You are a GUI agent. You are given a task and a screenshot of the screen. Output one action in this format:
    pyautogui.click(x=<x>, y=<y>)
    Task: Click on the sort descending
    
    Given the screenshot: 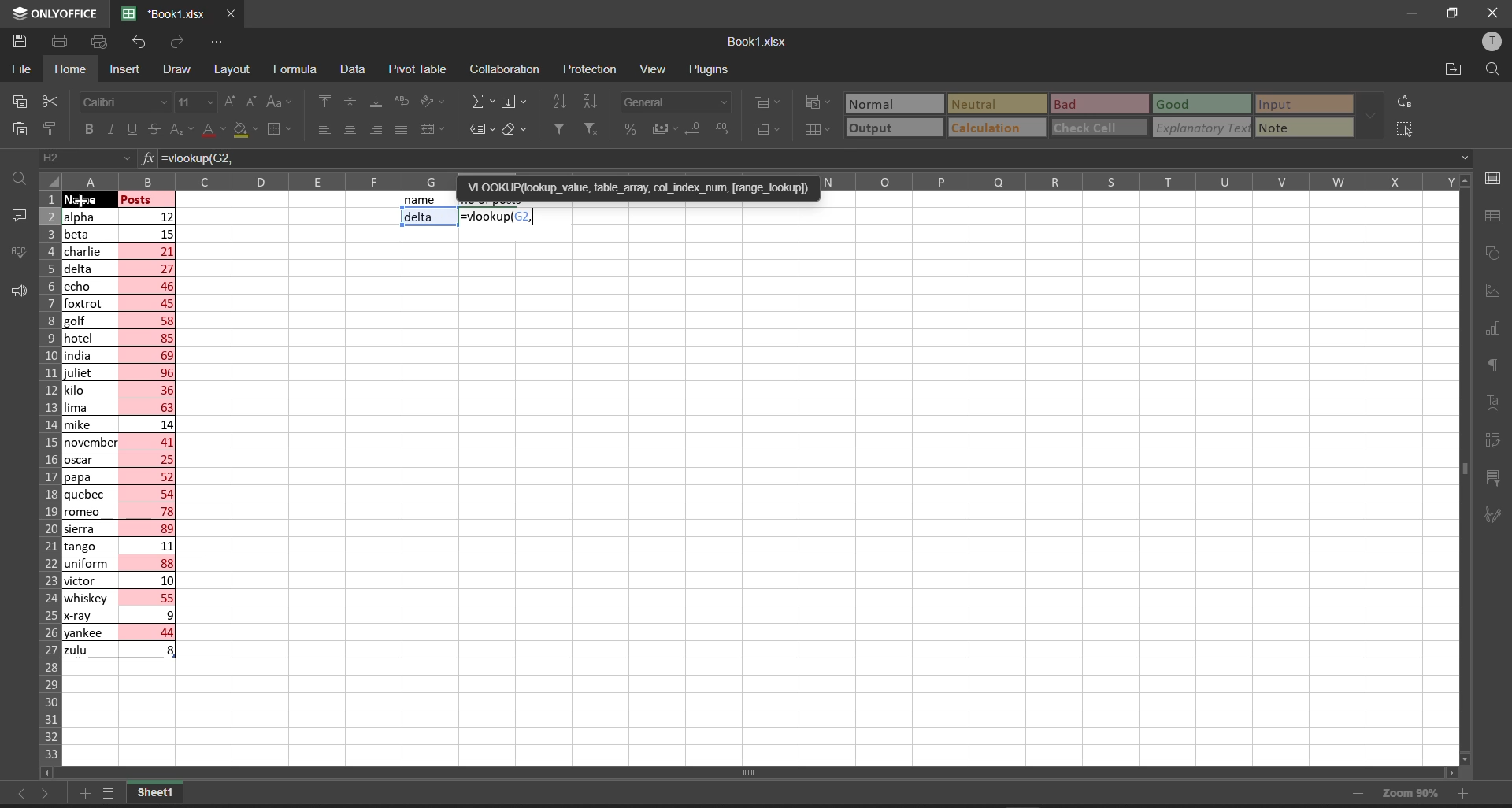 What is the action you would take?
    pyautogui.click(x=594, y=102)
    